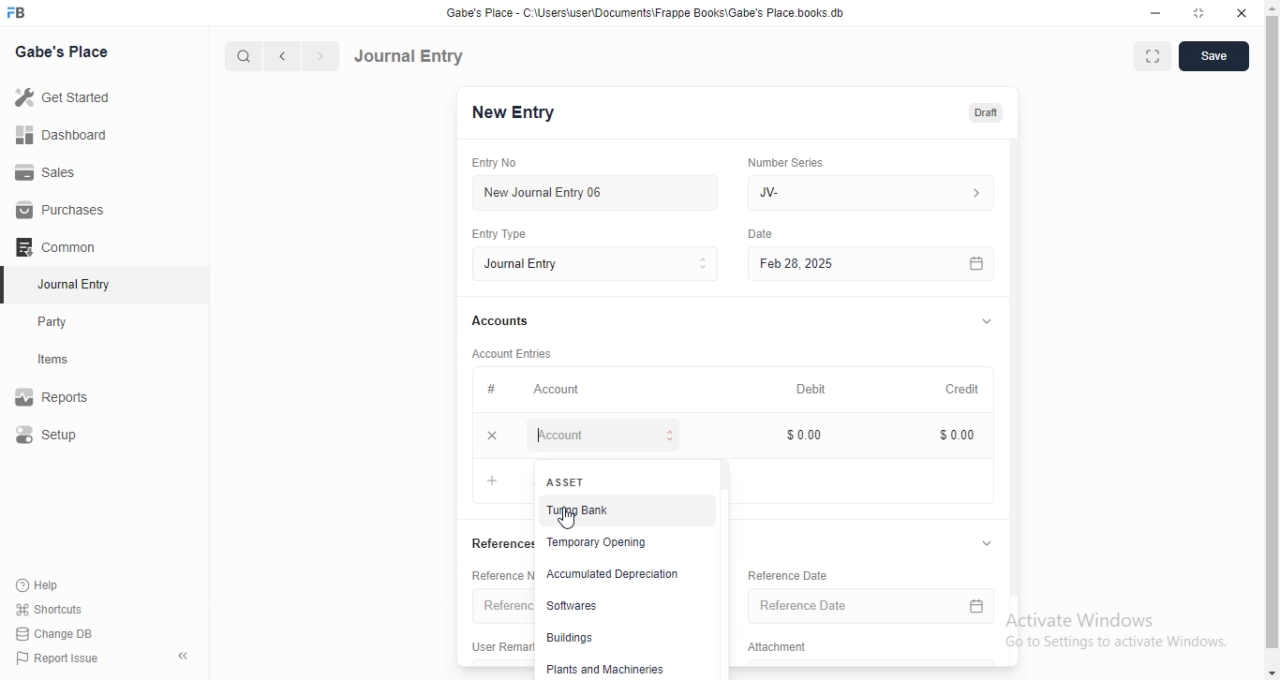  What do you see at coordinates (66, 436) in the screenshot?
I see `Setup` at bounding box center [66, 436].